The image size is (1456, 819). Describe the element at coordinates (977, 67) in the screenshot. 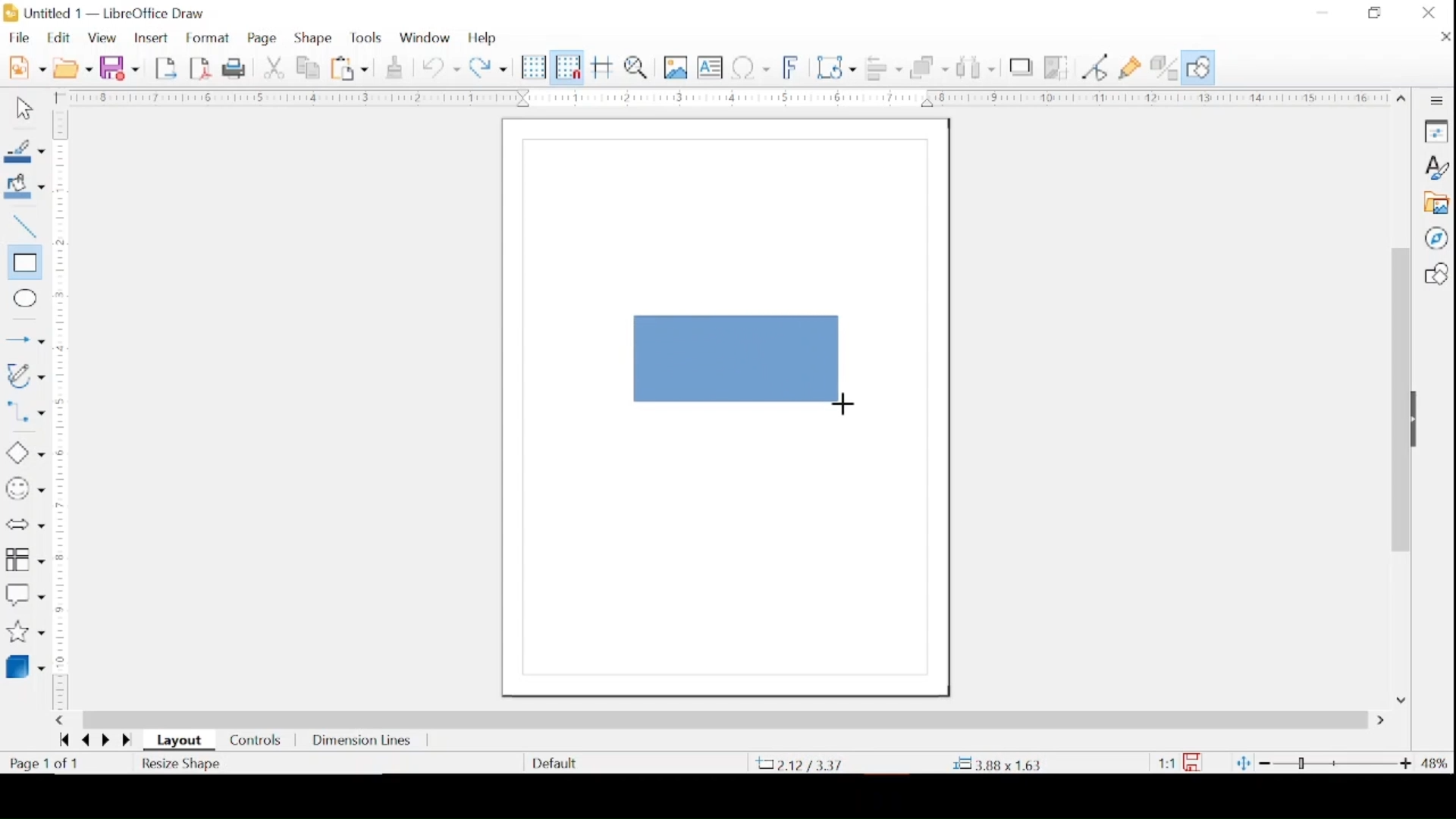

I see `select at least three objects to distribute` at that location.